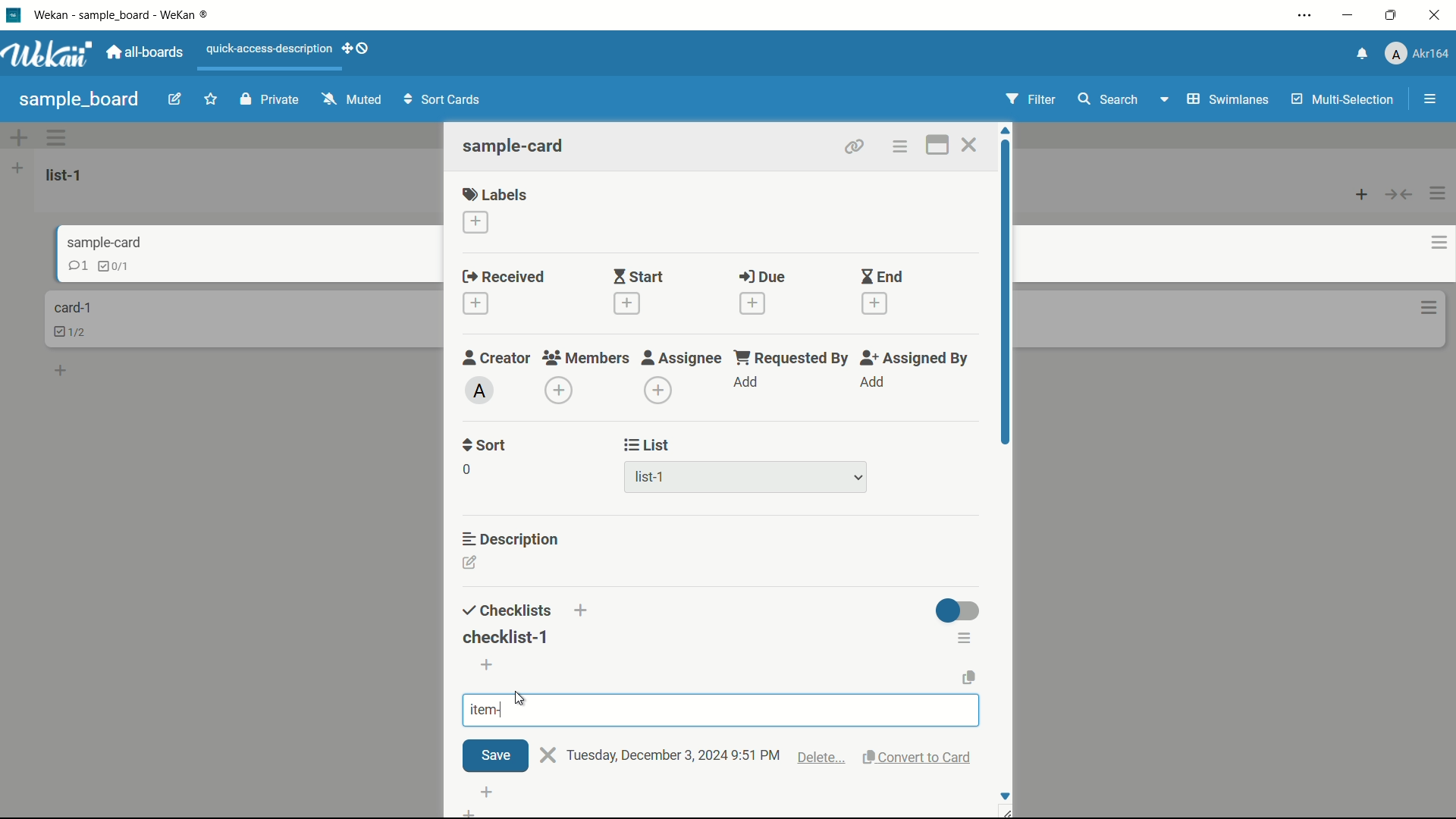  What do you see at coordinates (1108, 99) in the screenshot?
I see `search` at bounding box center [1108, 99].